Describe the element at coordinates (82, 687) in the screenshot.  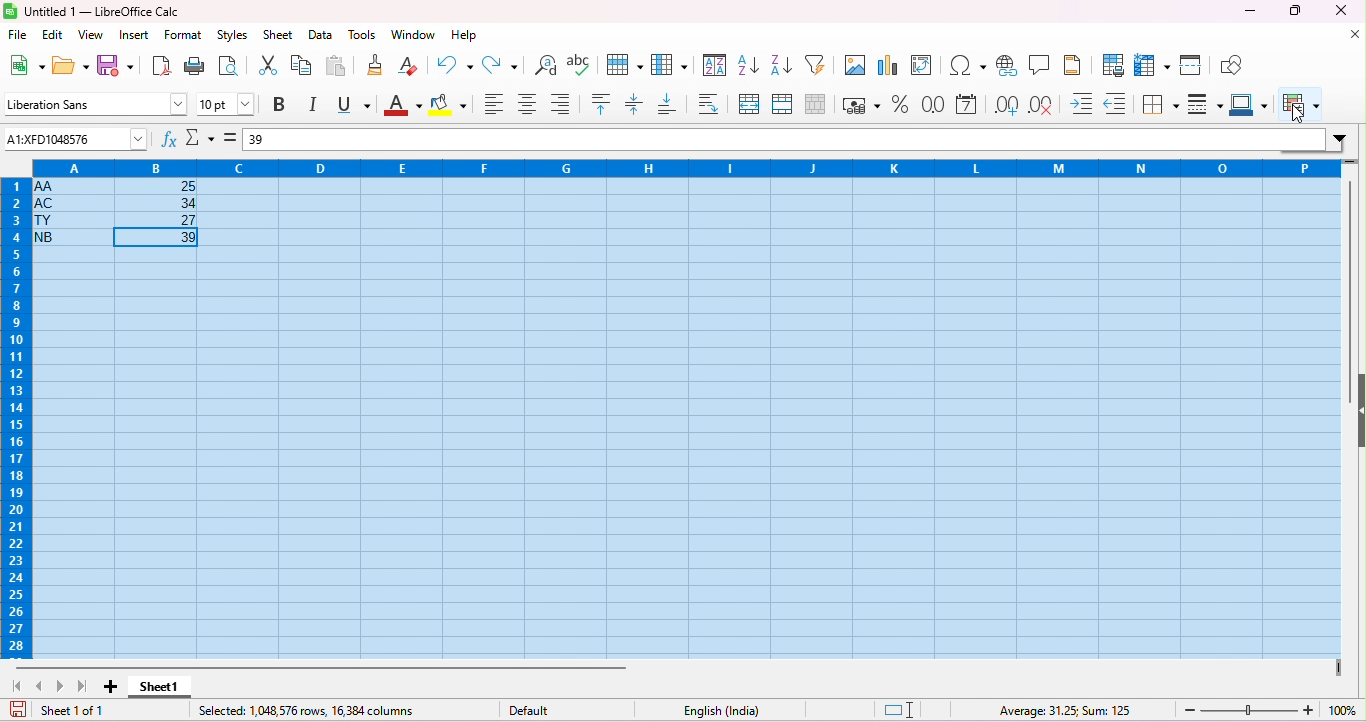
I see `last sheet` at that location.